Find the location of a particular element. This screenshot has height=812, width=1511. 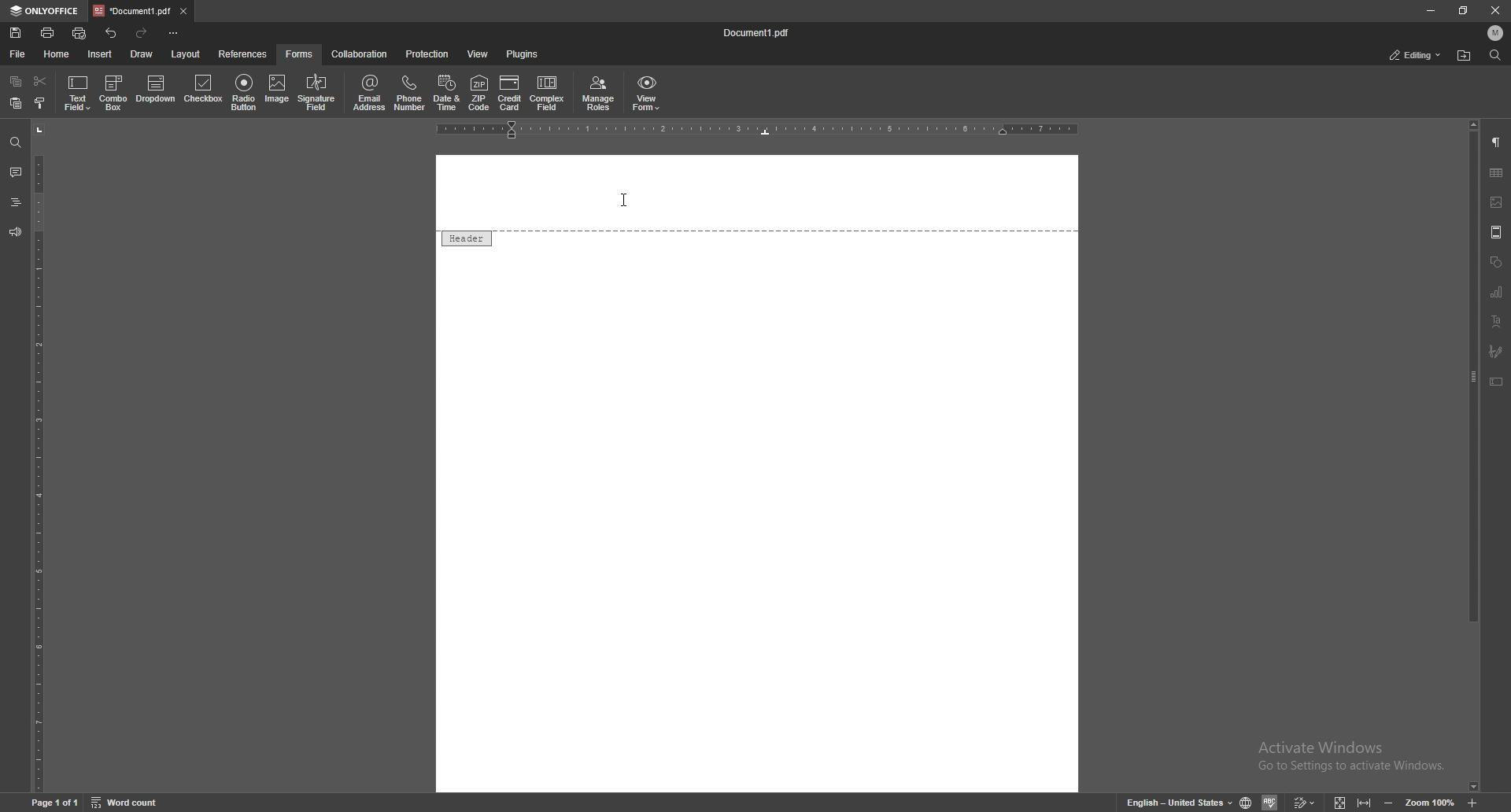

paragraph is located at coordinates (1498, 142).